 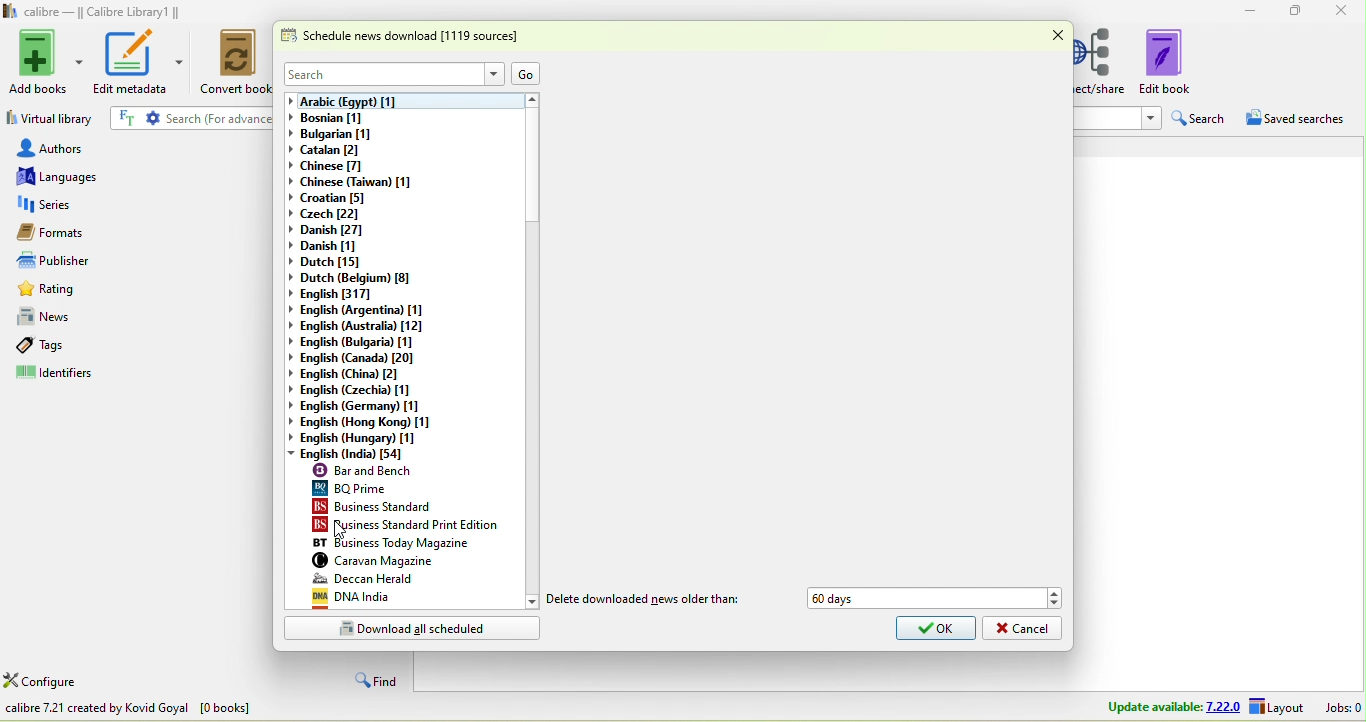 What do you see at coordinates (1300, 12) in the screenshot?
I see `maximize` at bounding box center [1300, 12].